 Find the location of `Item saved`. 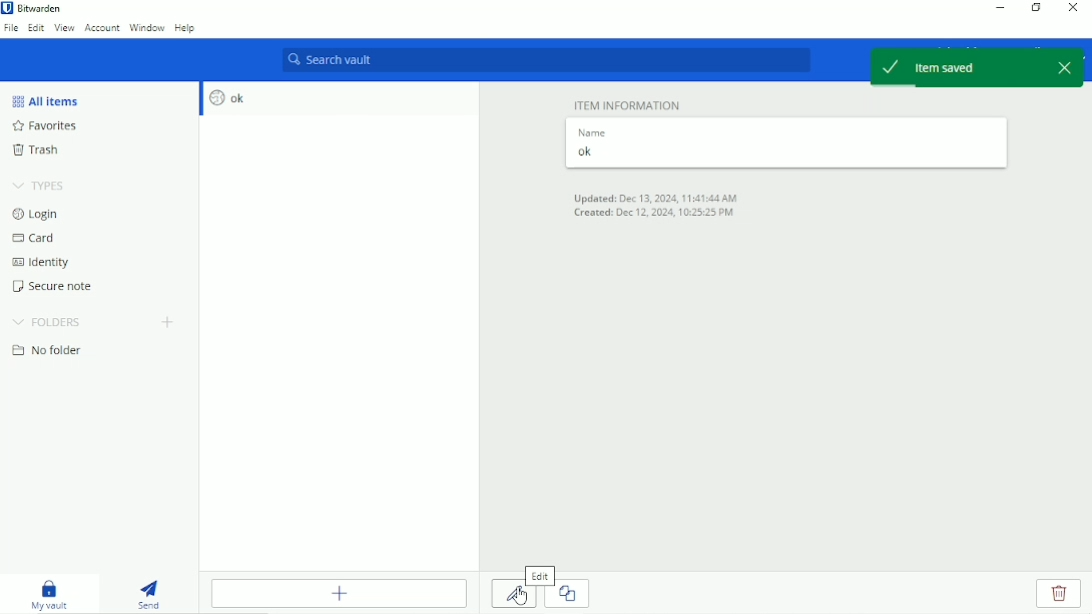

Item saved is located at coordinates (958, 67).